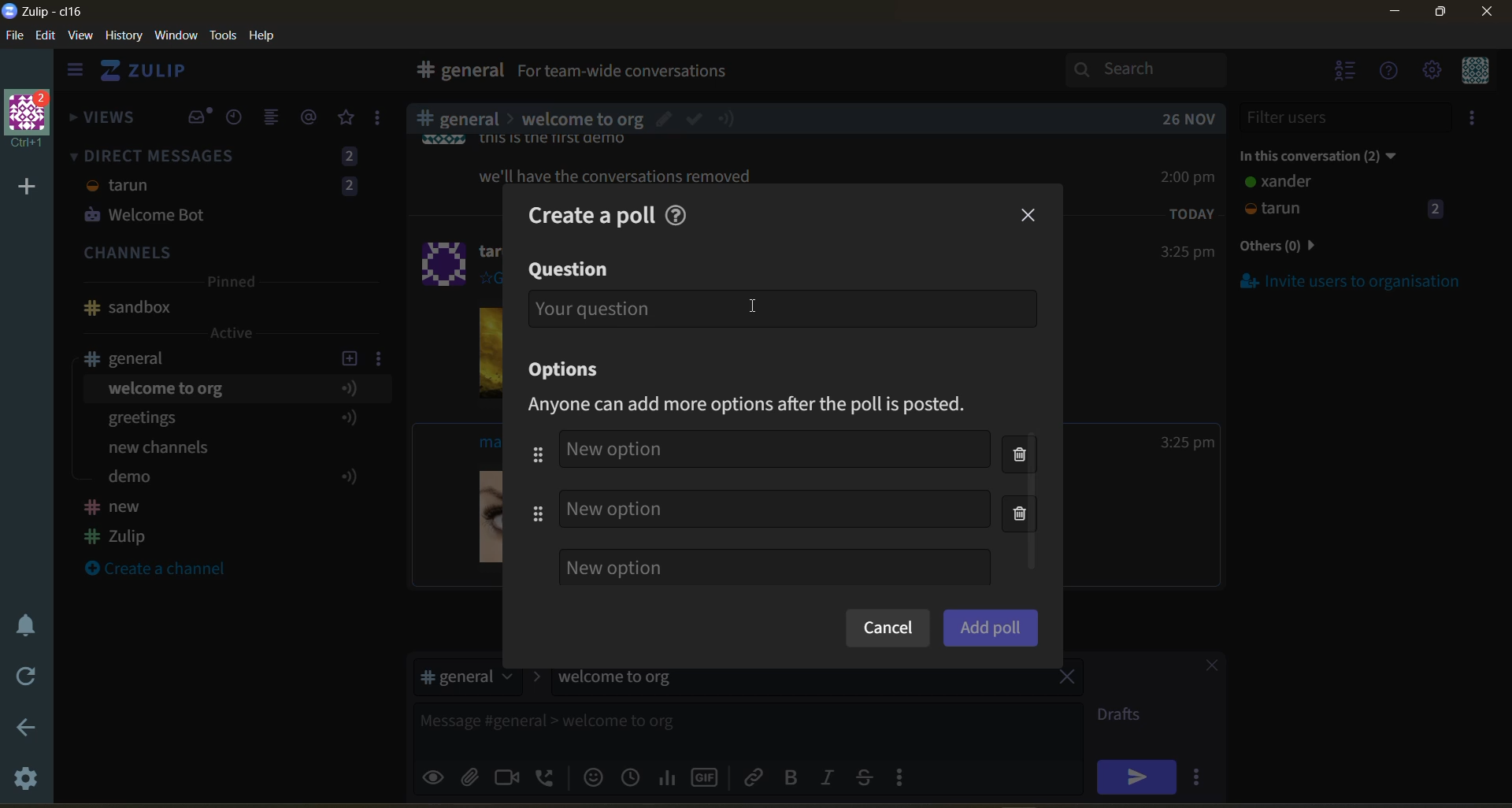 The width and height of the screenshot is (1512, 808). I want to click on enable do not disturb, so click(22, 623).